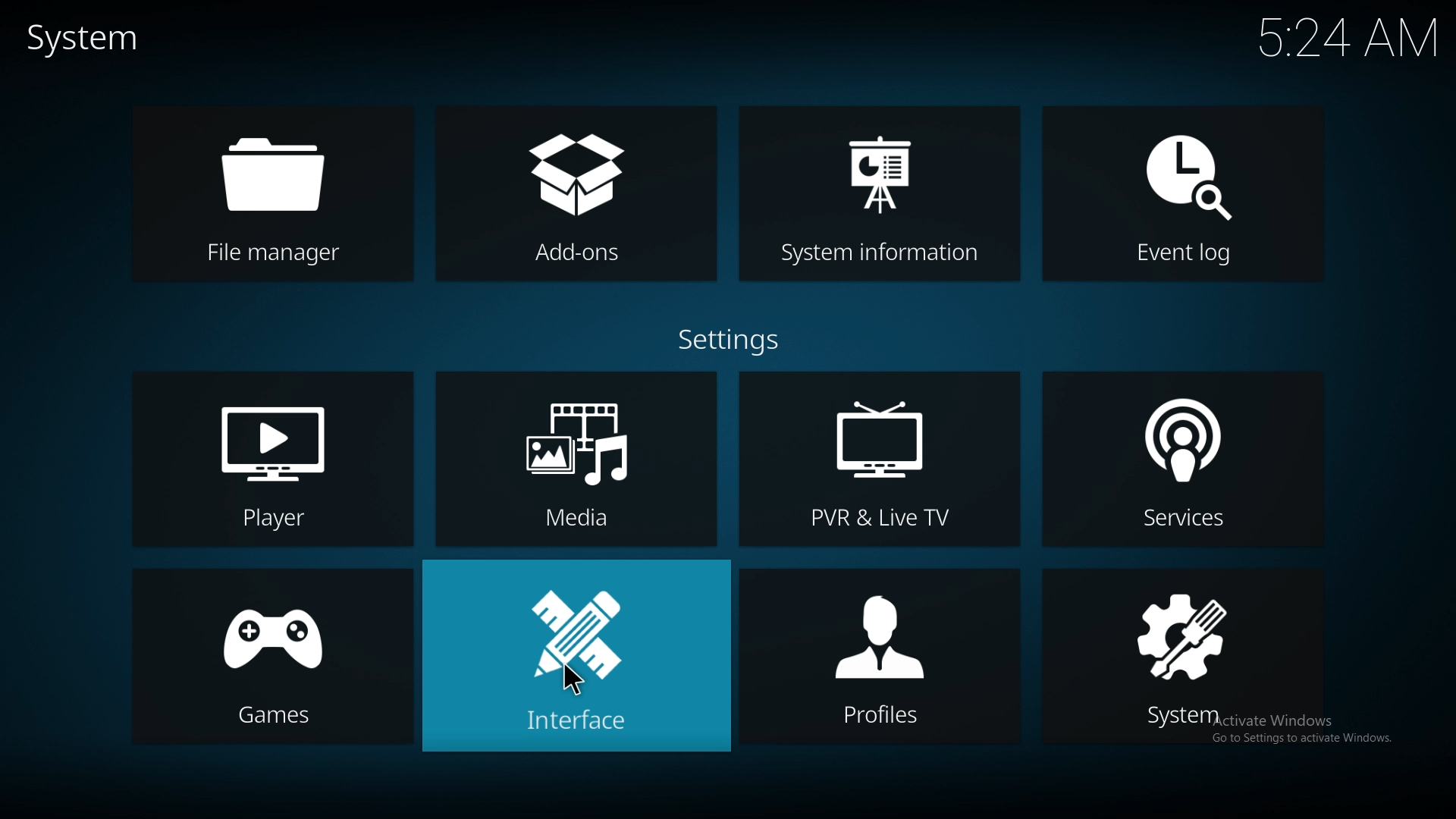  Describe the element at coordinates (576, 655) in the screenshot. I see `interface` at that location.